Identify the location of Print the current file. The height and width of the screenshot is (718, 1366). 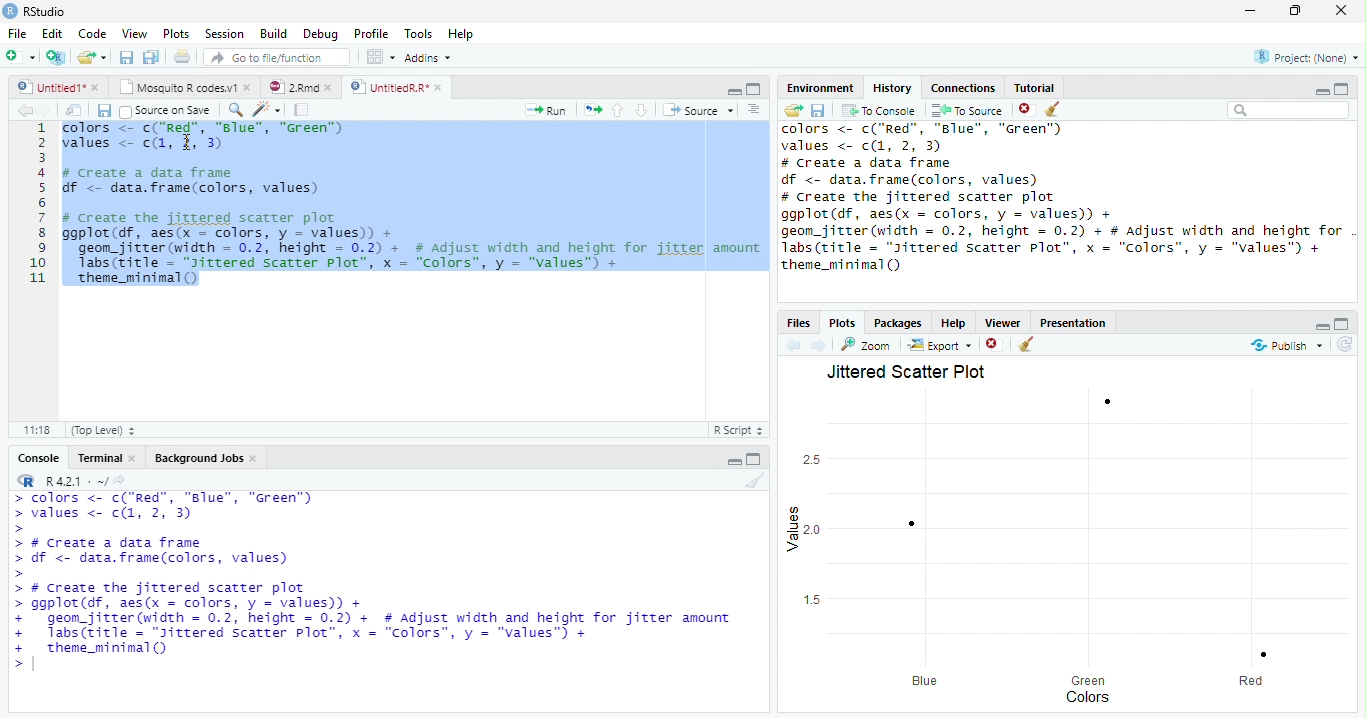
(183, 56).